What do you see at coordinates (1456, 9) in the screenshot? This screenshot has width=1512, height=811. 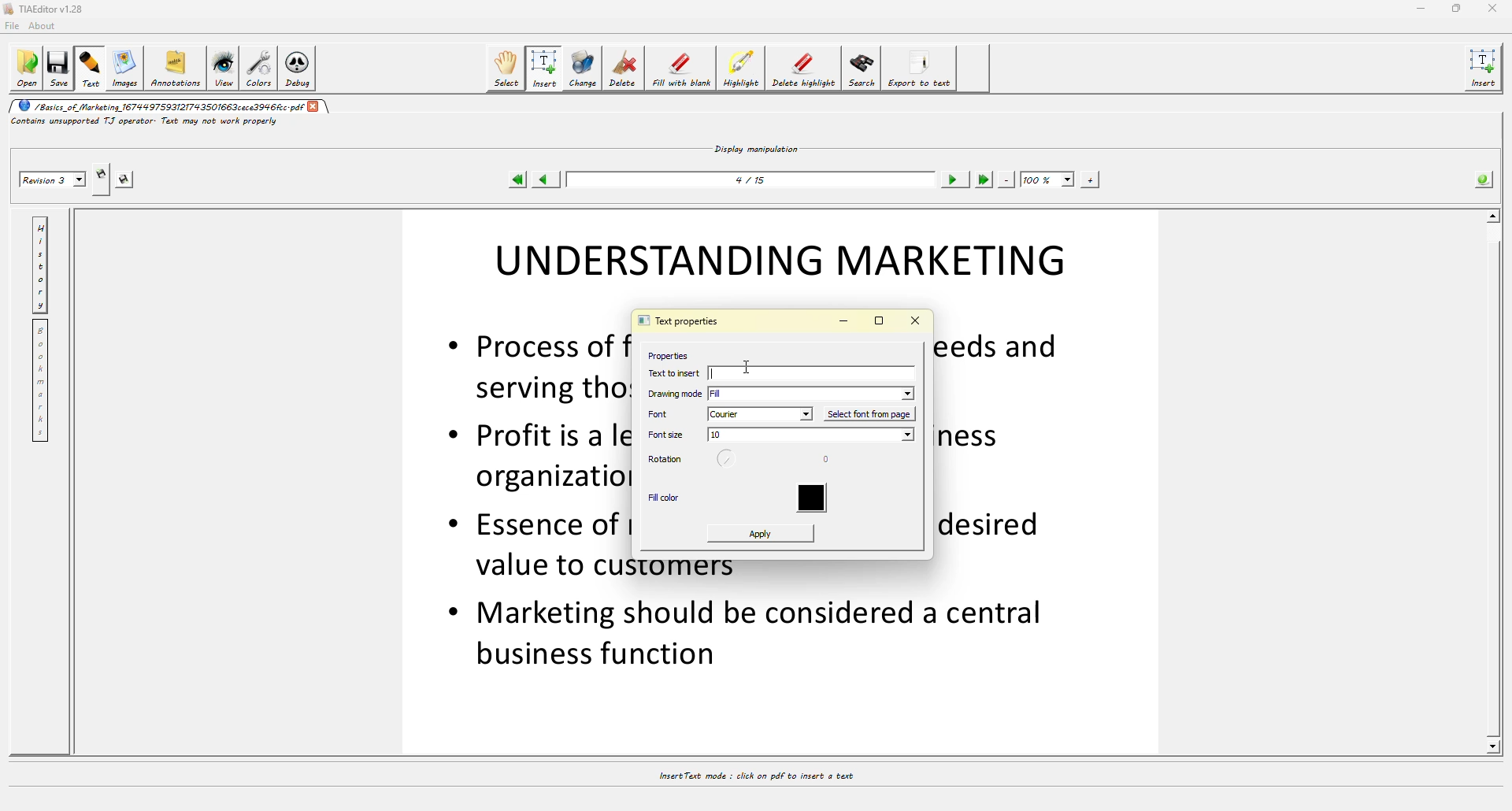 I see `maximize` at bounding box center [1456, 9].